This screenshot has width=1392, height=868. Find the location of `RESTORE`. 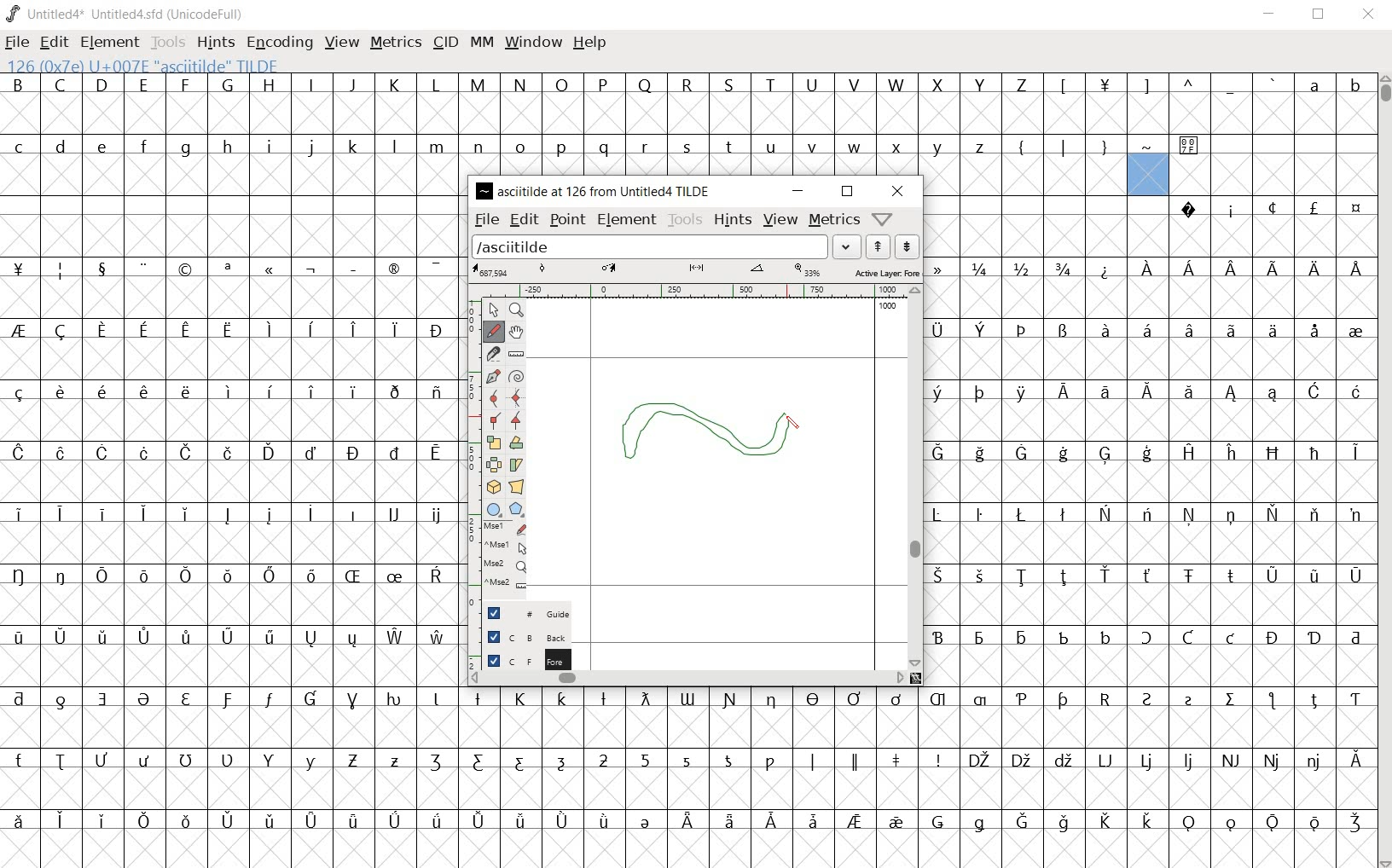

RESTORE is located at coordinates (1322, 15).